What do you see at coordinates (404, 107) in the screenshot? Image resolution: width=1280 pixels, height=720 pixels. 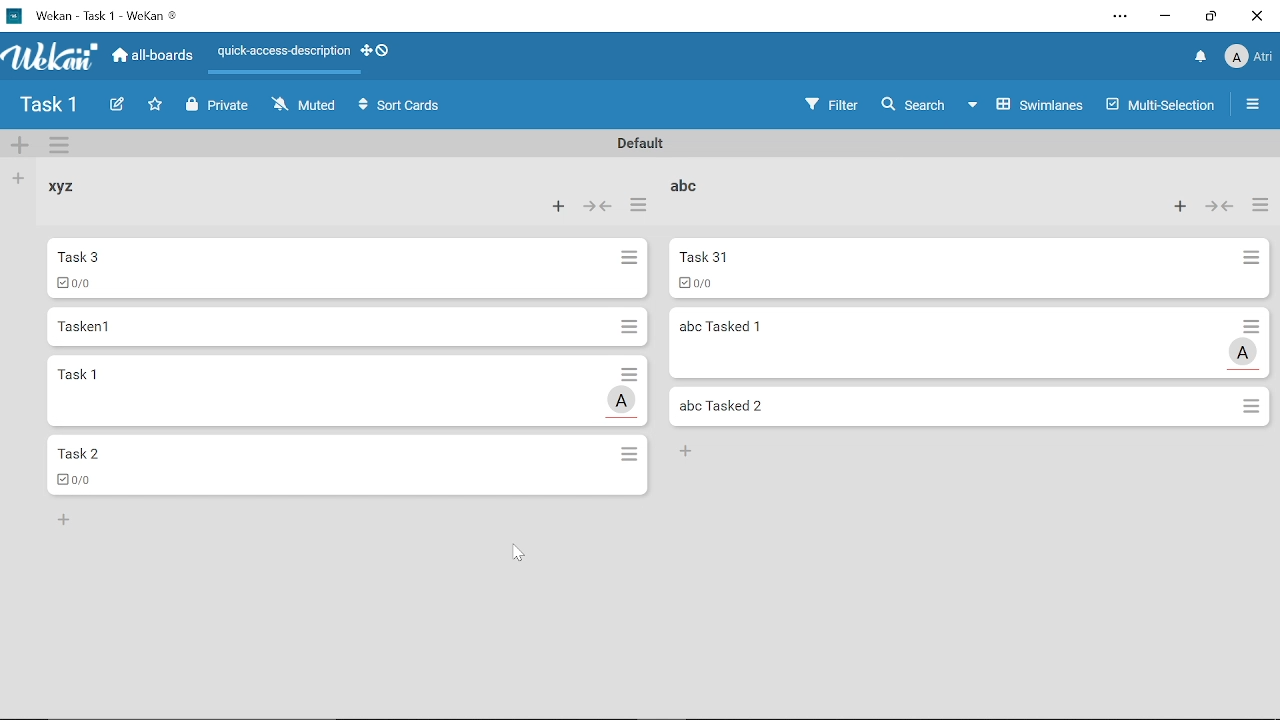 I see `Sort Cards` at bounding box center [404, 107].